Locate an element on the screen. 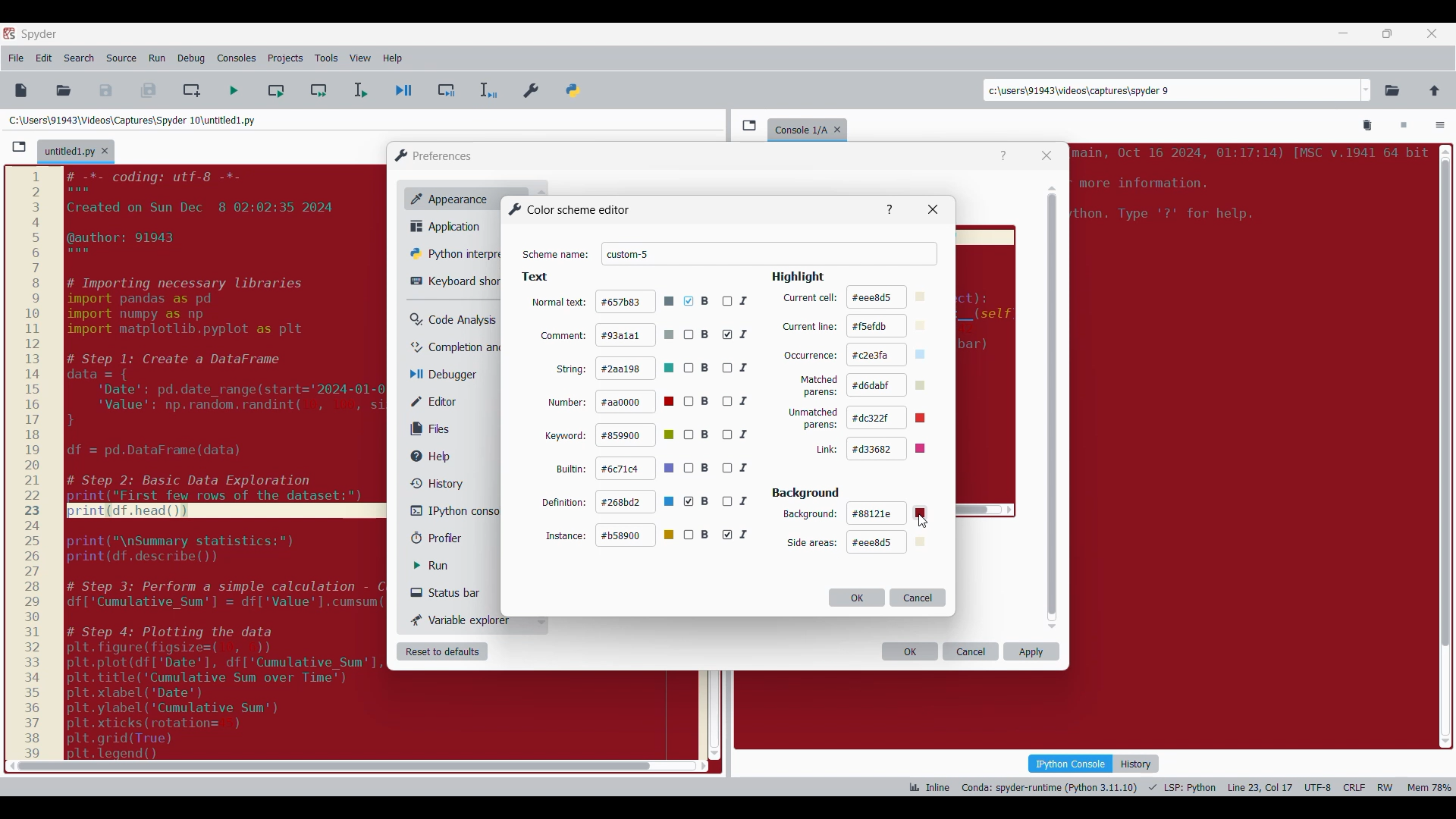 The height and width of the screenshot is (819, 1456). B is located at coordinates (697, 535).